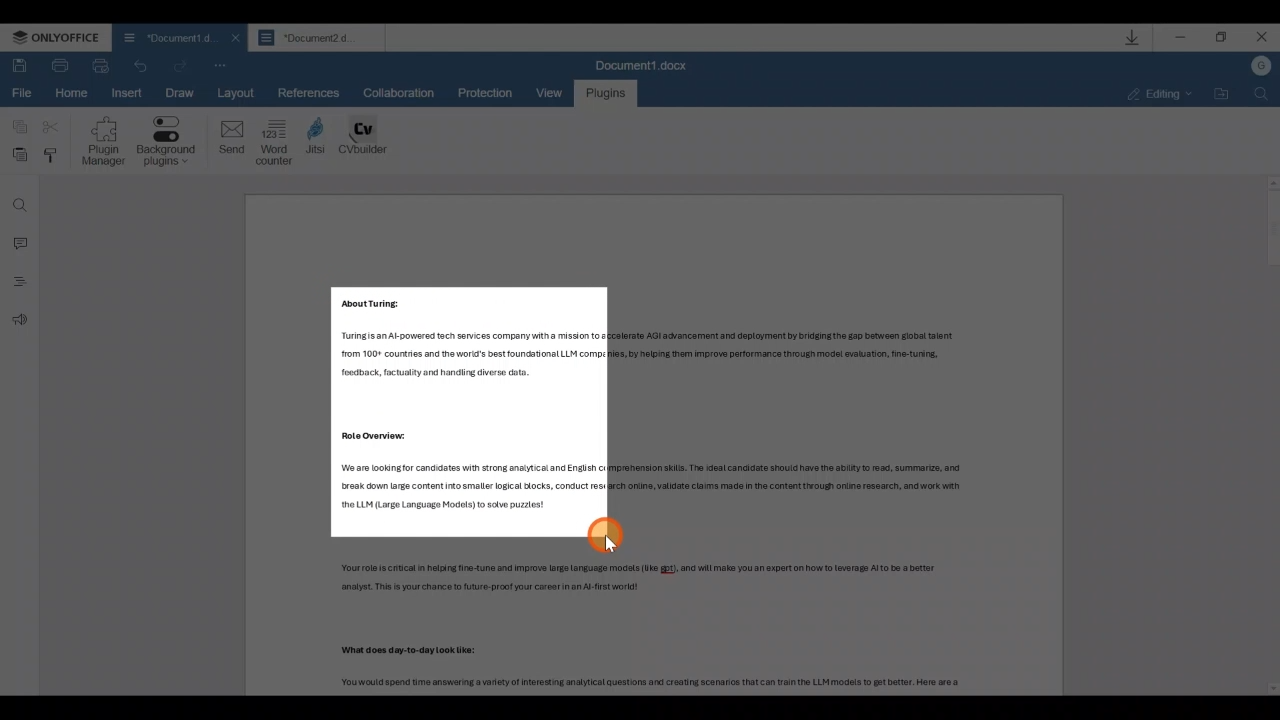  Describe the element at coordinates (318, 40) in the screenshot. I see `Document2 d...` at that location.